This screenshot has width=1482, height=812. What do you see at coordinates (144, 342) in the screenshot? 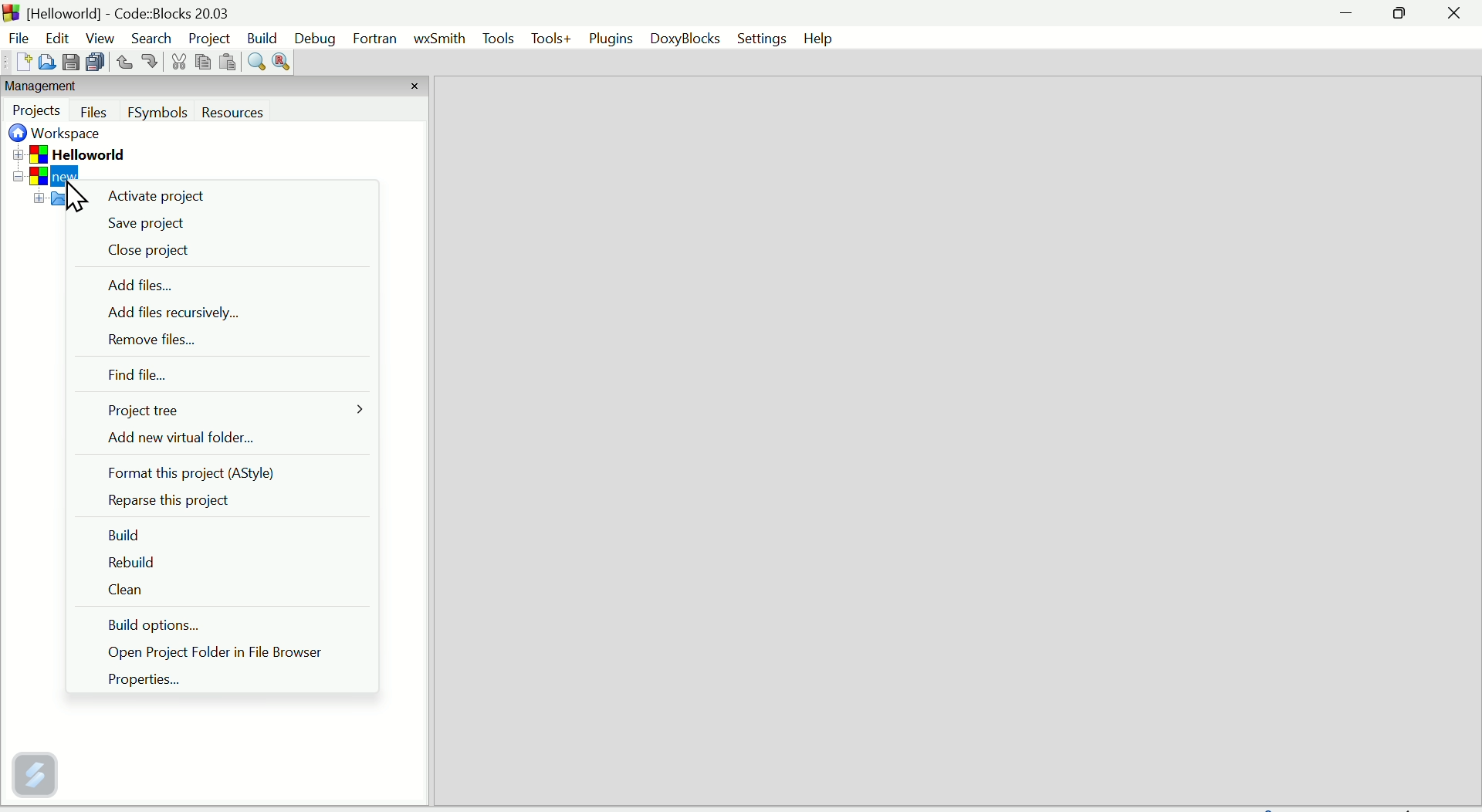
I see `Remove files` at bounding box center [144, 342].